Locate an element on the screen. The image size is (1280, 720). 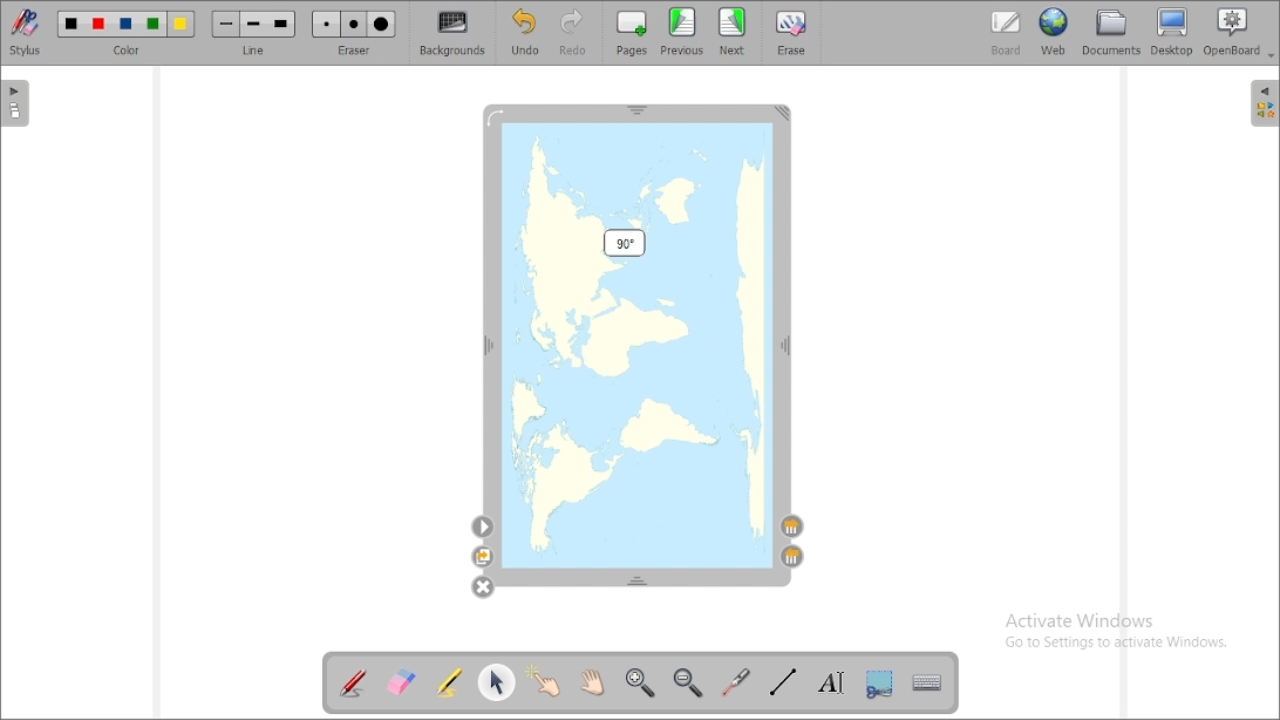
undo is located at coordinates (527, 32).